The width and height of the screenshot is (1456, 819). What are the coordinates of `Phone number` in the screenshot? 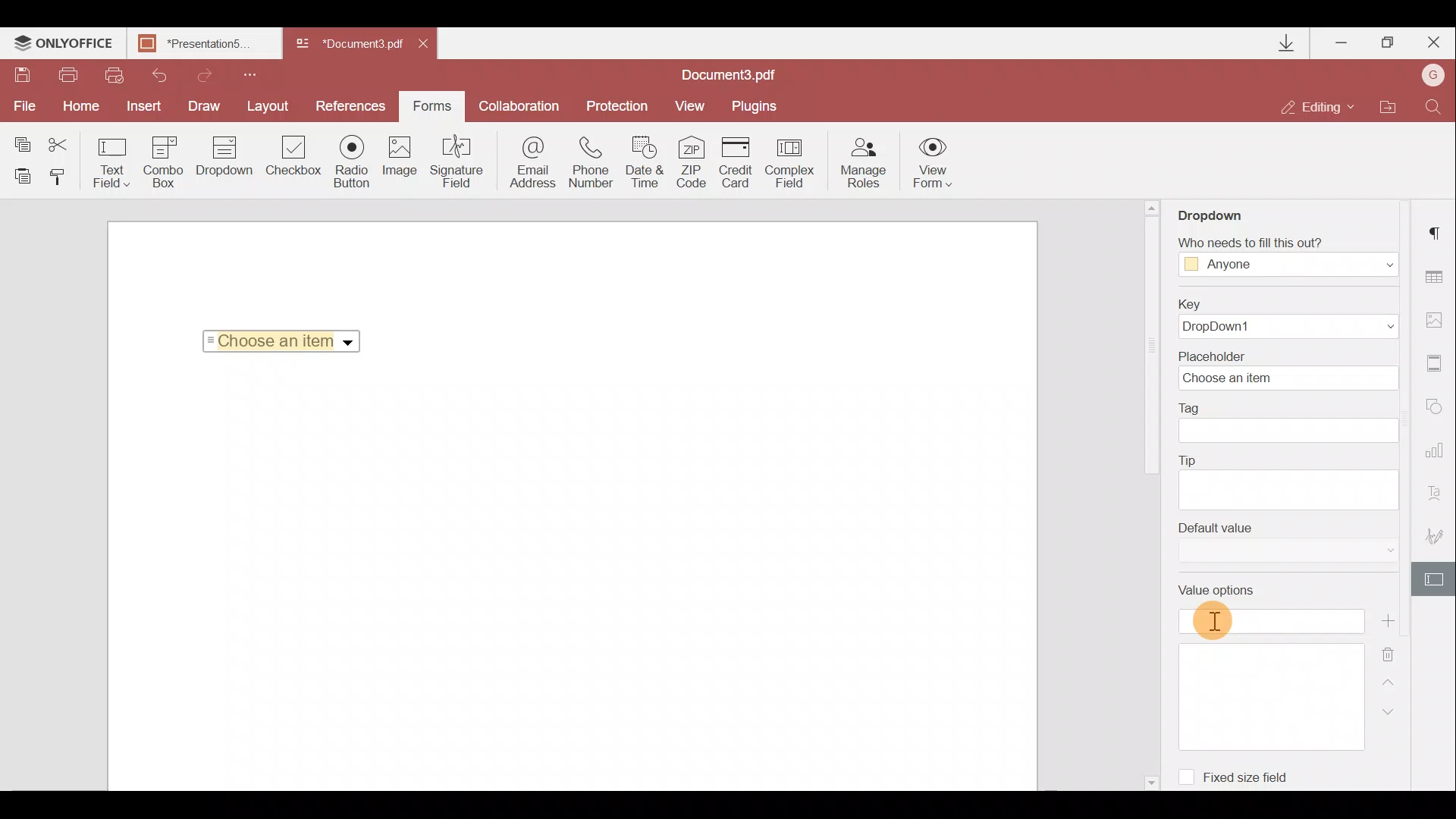 It's located at (593, 163).